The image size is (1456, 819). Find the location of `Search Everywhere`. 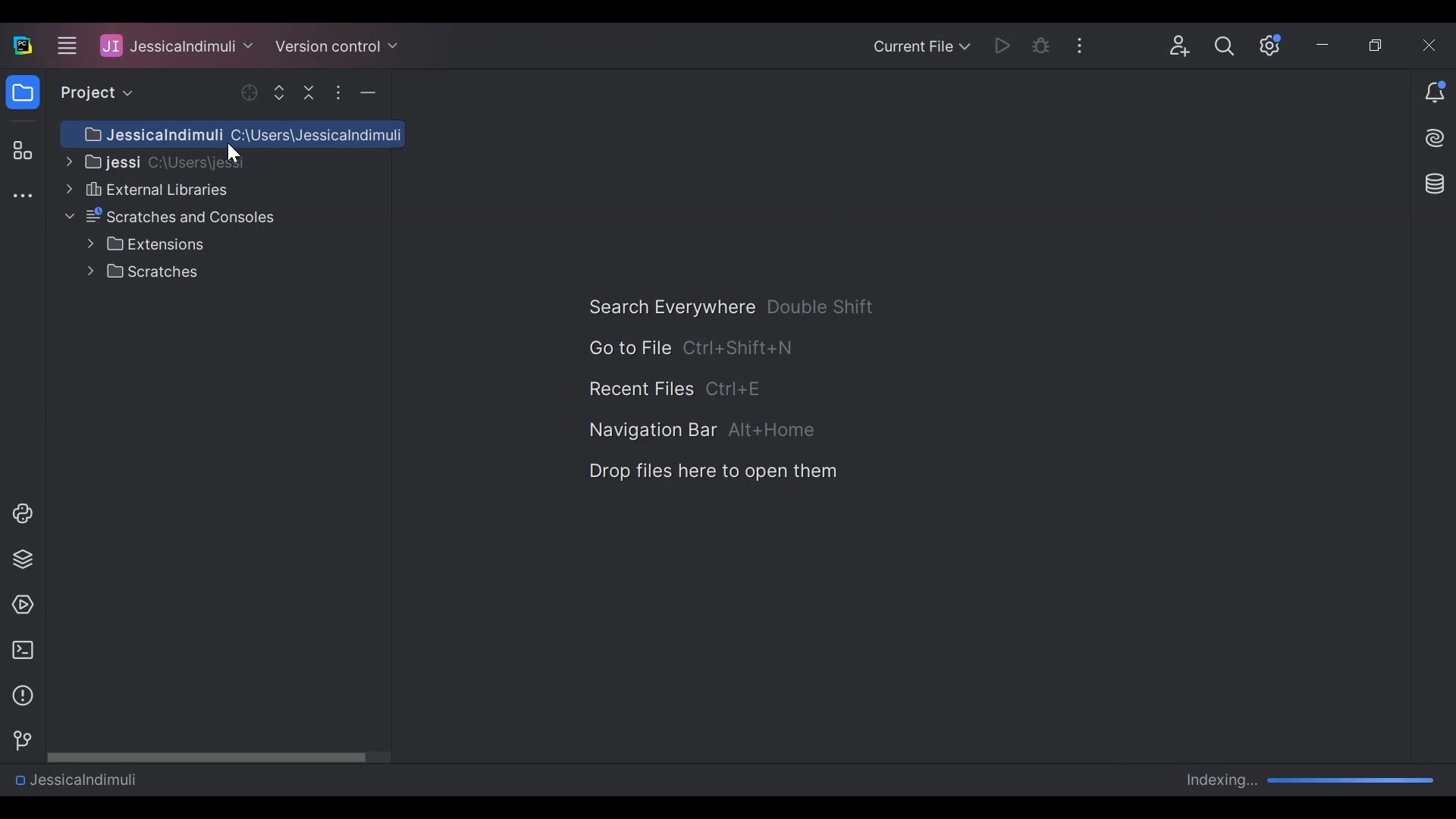

Search Everywhere is located at coordinates (670, 307).